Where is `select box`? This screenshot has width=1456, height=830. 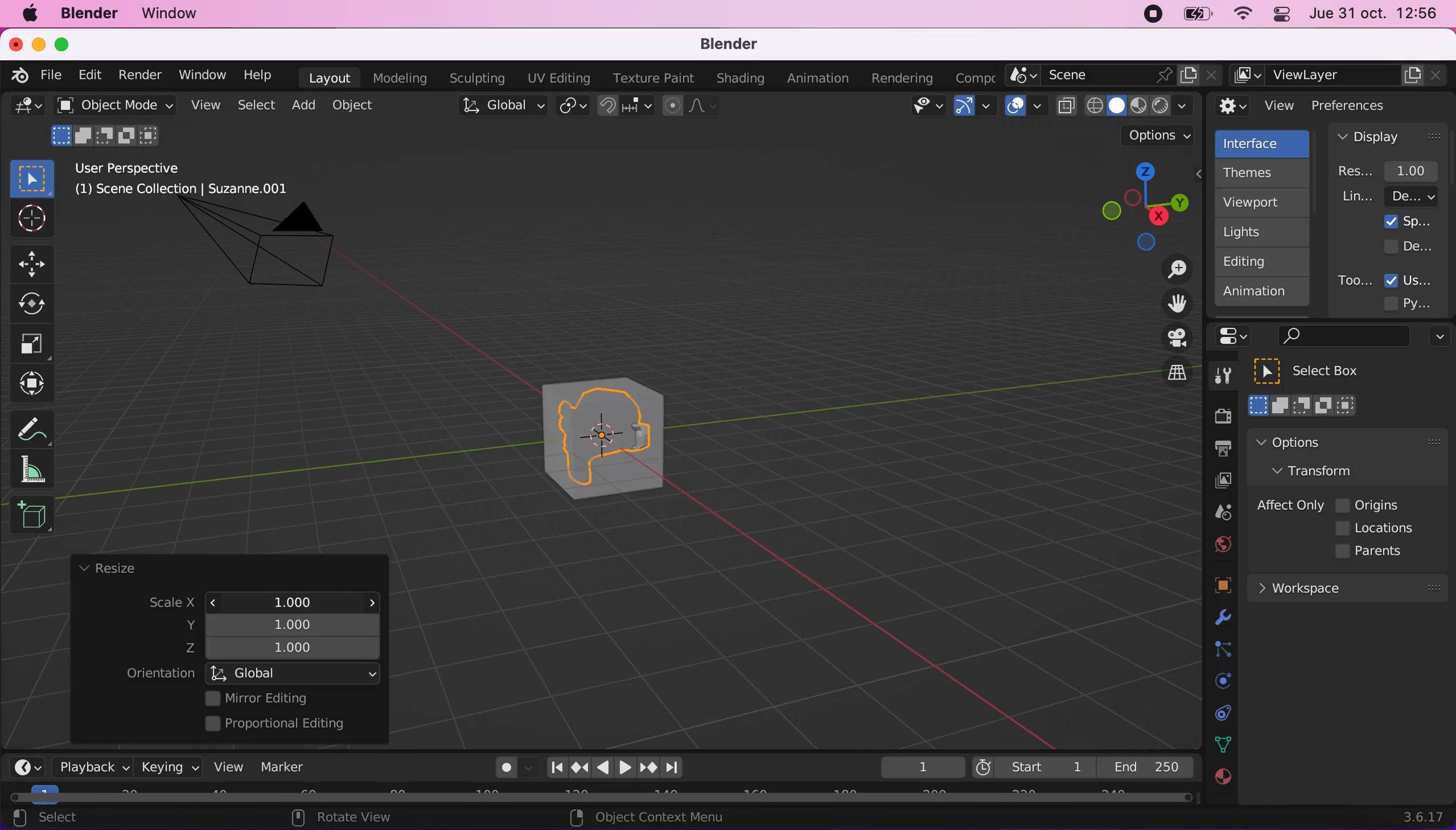
select box is located at coordinates (1321, 371).